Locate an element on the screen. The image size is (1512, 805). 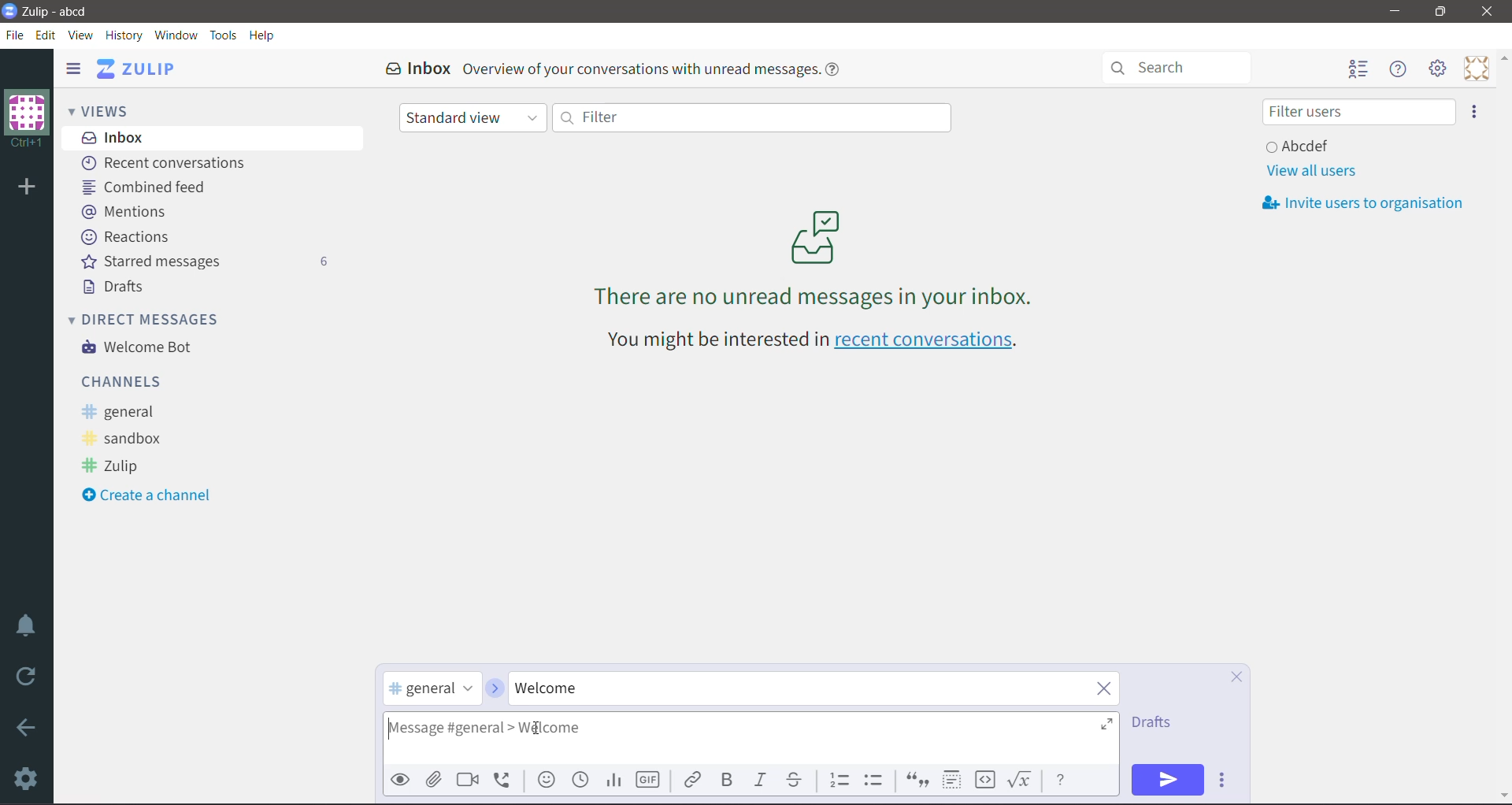
Hide Menu is located at coordinates (1399, 69).